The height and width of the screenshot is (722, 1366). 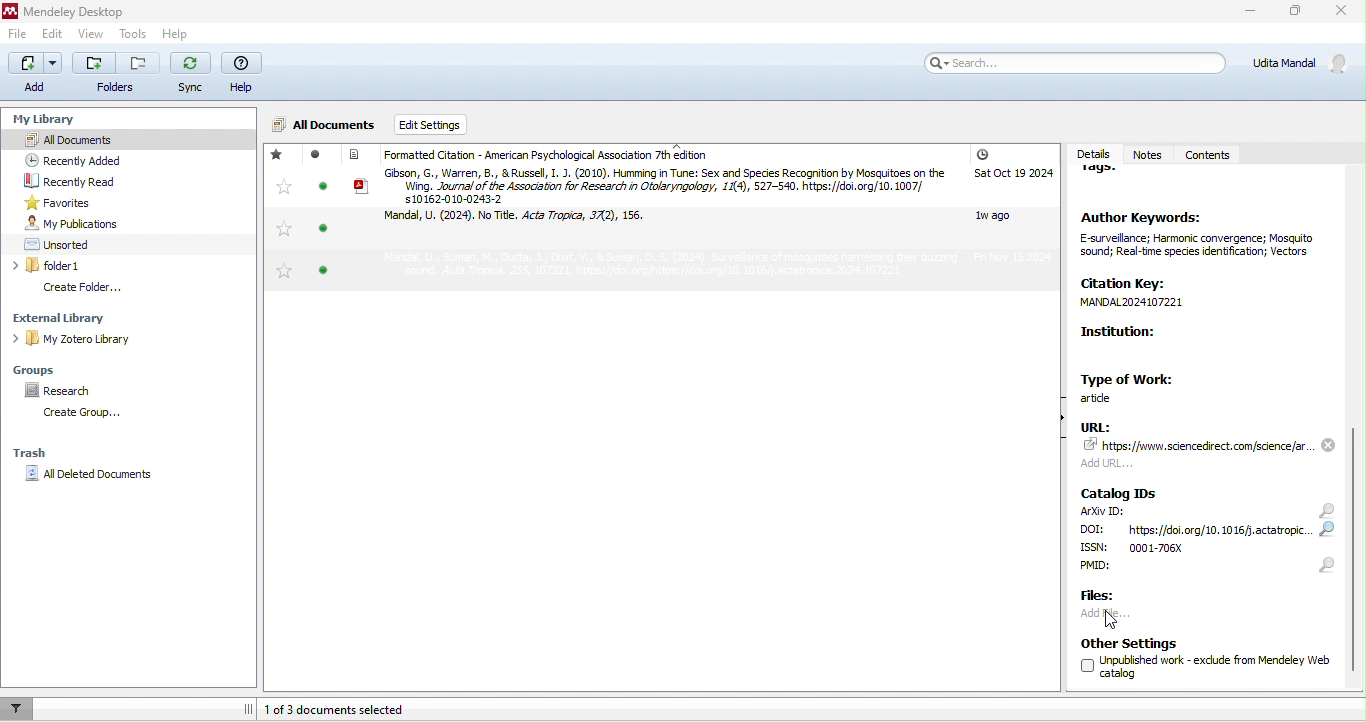 I want to click on my publication, so click(x=94, y=223).